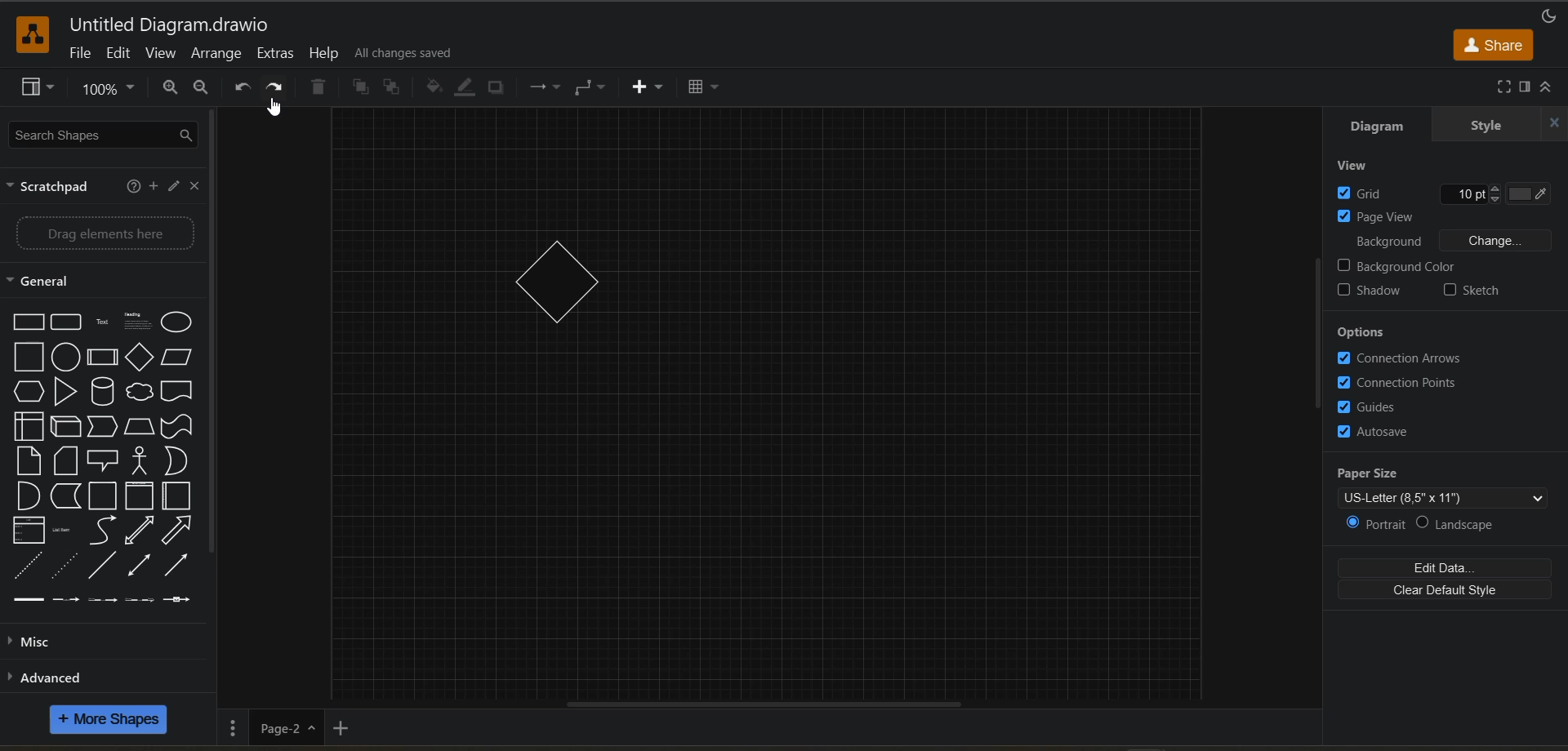 This screenshot has width=1568, height=751. I want to click on curve, so click(101, 533).